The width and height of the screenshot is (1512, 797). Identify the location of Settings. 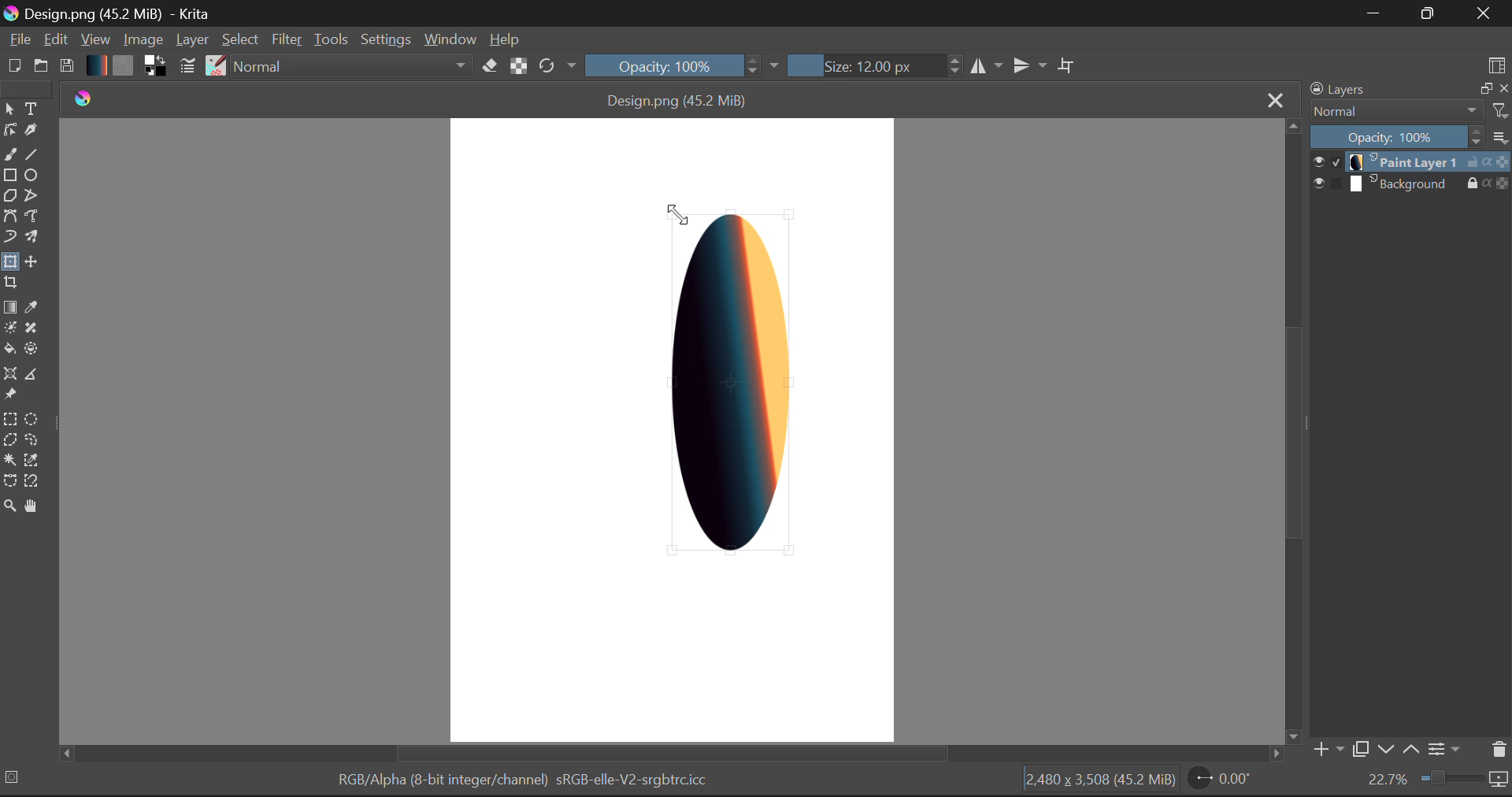
(1447, 751).